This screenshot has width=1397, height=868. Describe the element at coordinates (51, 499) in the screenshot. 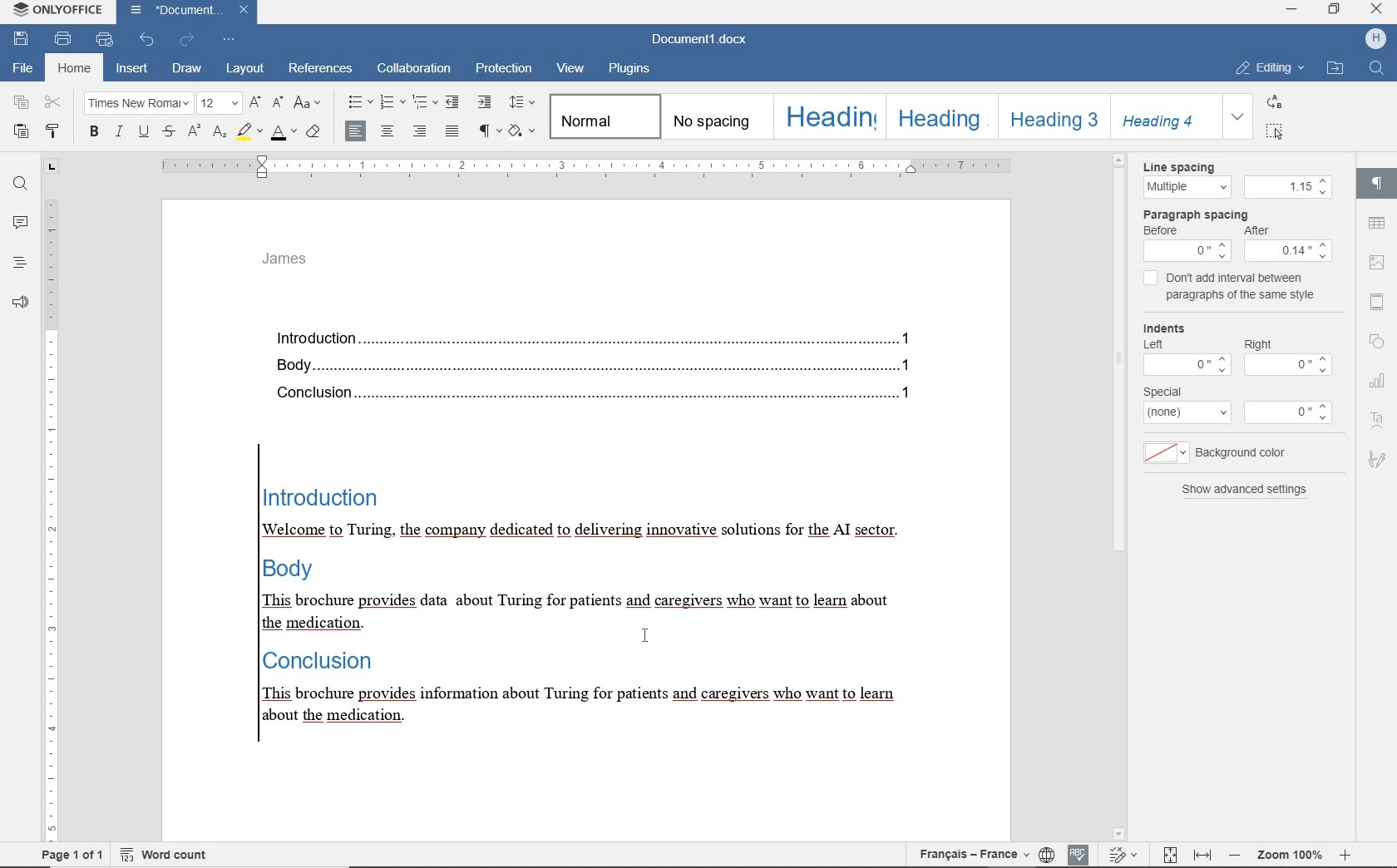

I see `ruler` at that location.